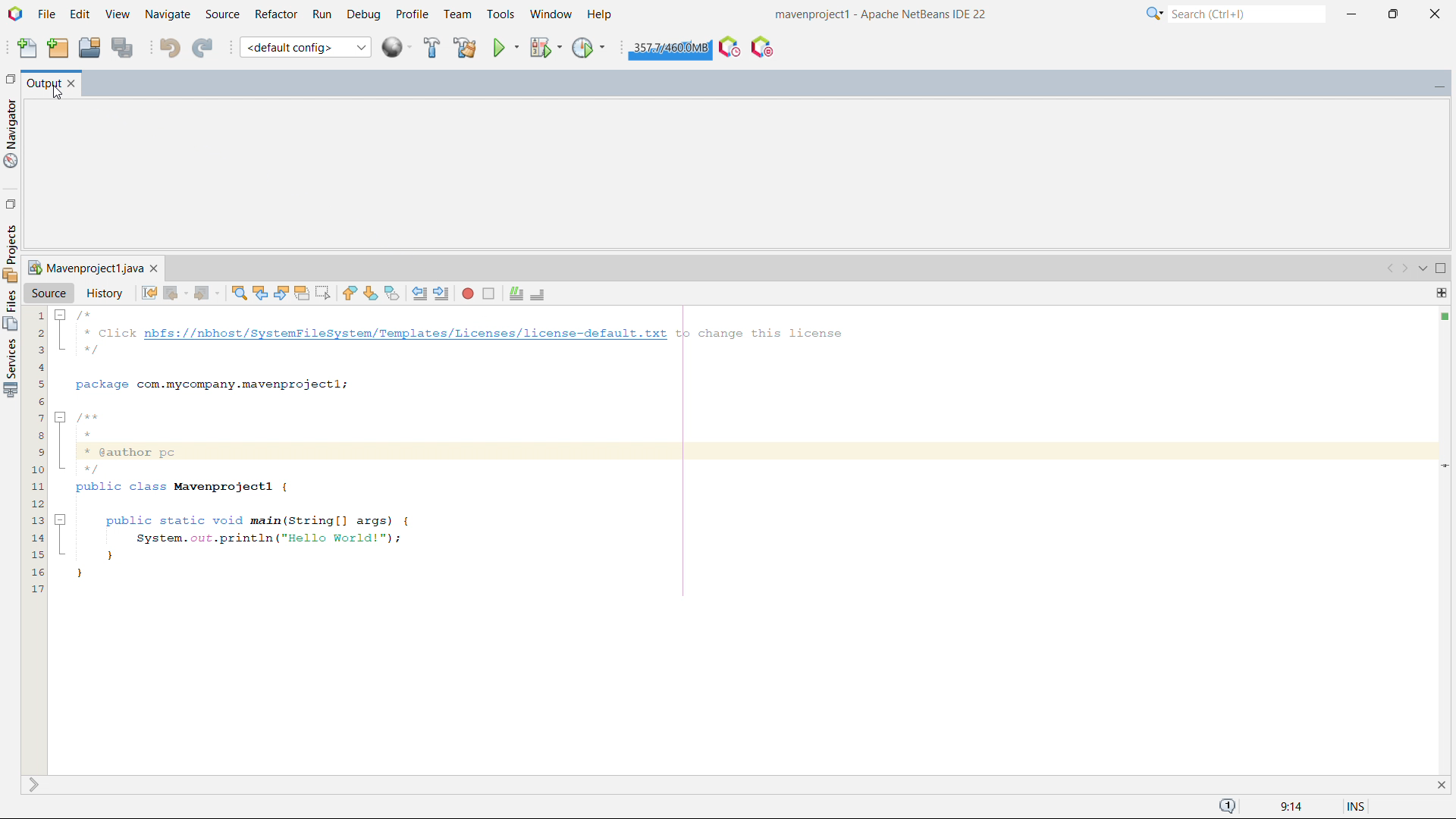 Image resolution: width=1456 pixels, height=819 pixels. I want to click on minimize winow group, so click(1439, 84).